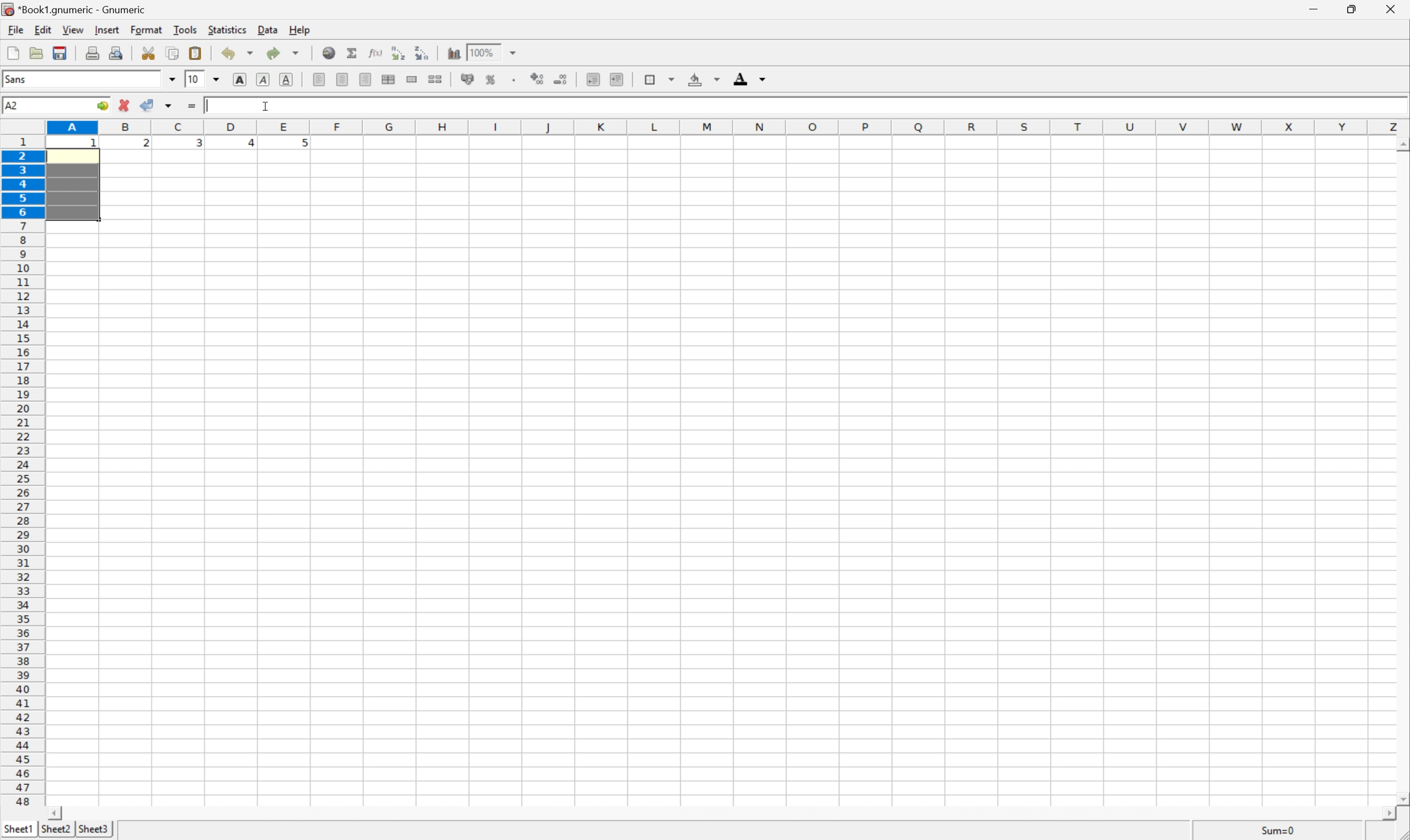  I want to click on statistics, so click(227, 31).